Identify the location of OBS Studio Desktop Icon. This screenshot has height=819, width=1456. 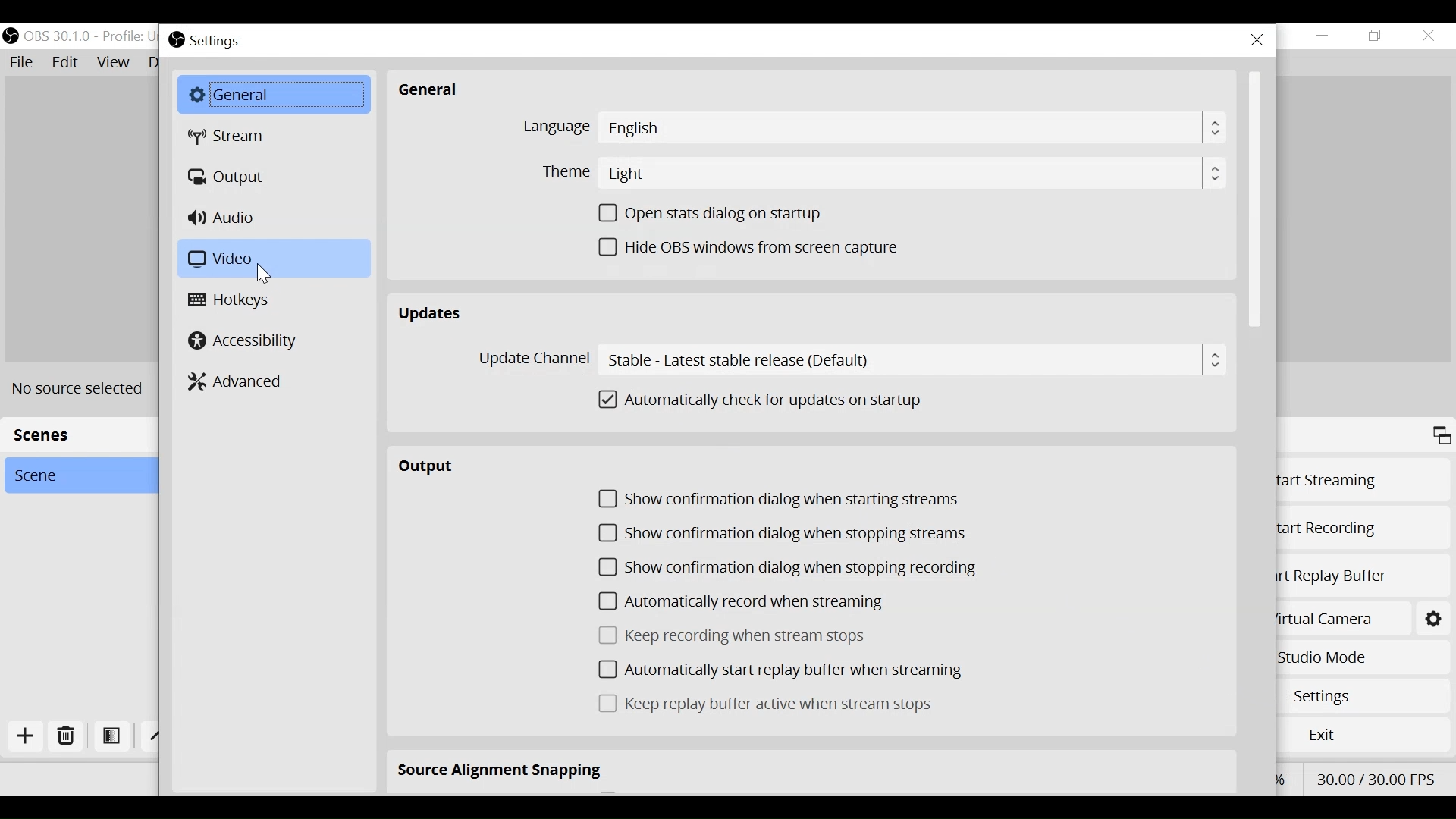
(10, 33).